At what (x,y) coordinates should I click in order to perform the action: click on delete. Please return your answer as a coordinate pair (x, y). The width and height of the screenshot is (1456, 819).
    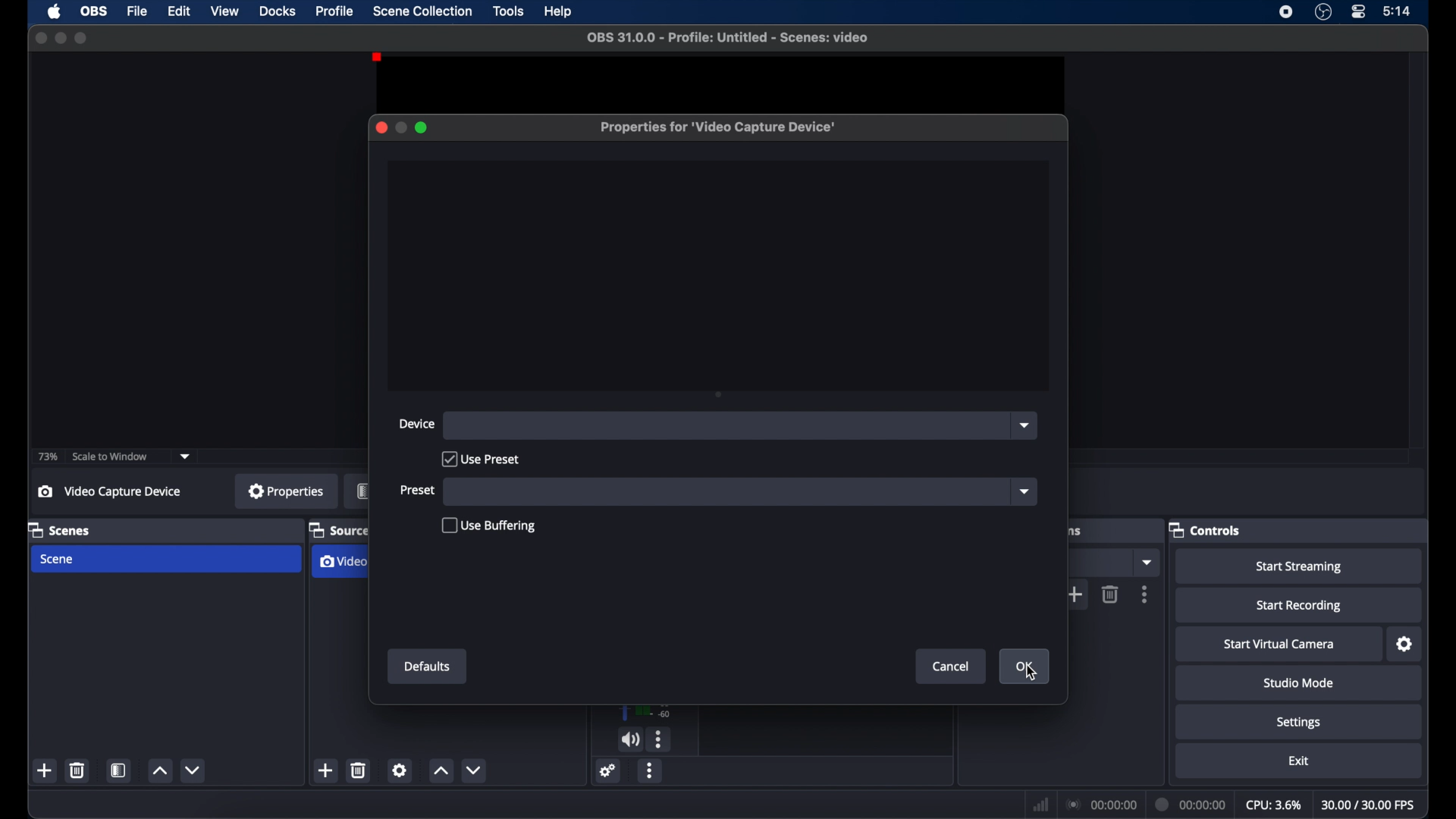
    Looking at the image, I should click on (77, 770).